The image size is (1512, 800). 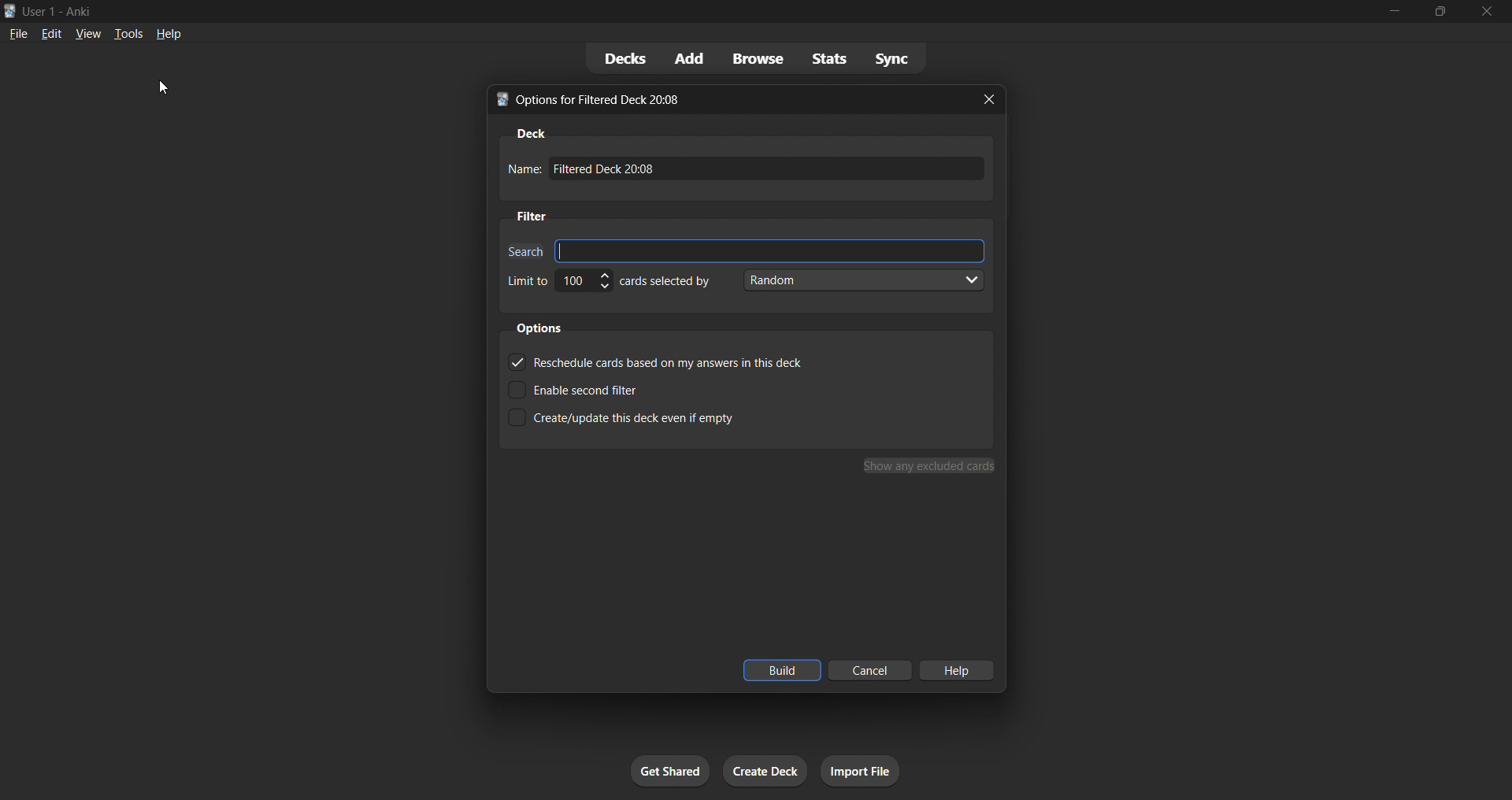 What do you see at coordinates (522, 251) in the screenshot?
I see `search` at bounding box center [522, 251].